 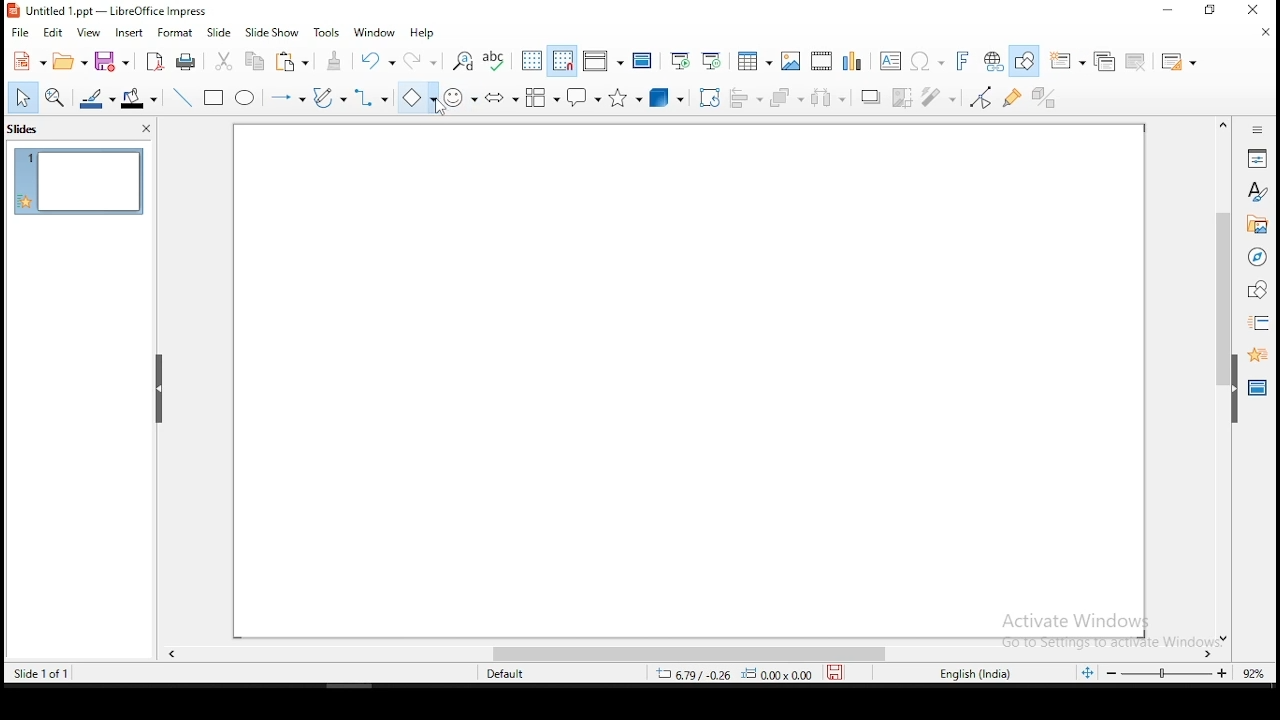 I want to click on crop tool, so click(x=707, y=97).